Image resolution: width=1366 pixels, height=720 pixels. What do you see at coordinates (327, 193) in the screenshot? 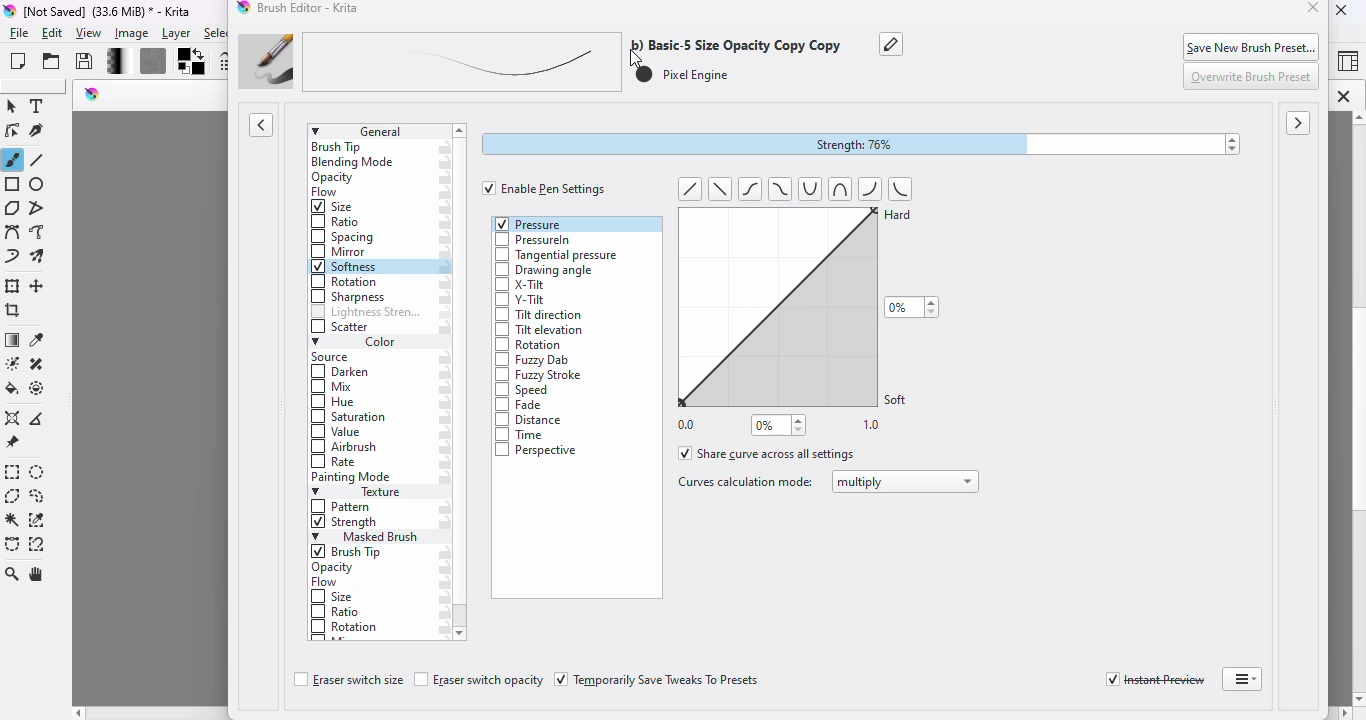
I see `flow` at bounding box center [327, 193].